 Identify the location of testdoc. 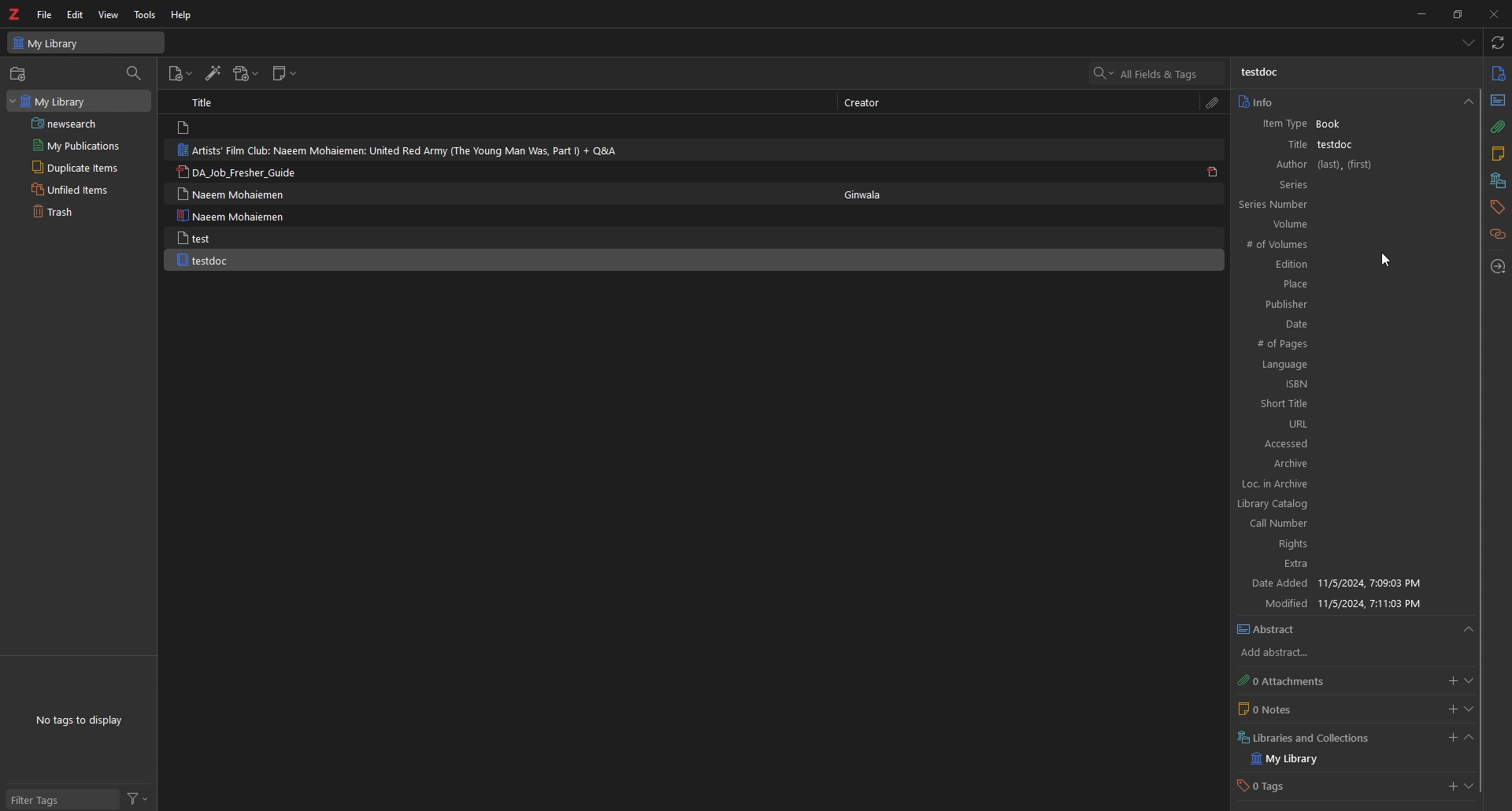
(235, 260).